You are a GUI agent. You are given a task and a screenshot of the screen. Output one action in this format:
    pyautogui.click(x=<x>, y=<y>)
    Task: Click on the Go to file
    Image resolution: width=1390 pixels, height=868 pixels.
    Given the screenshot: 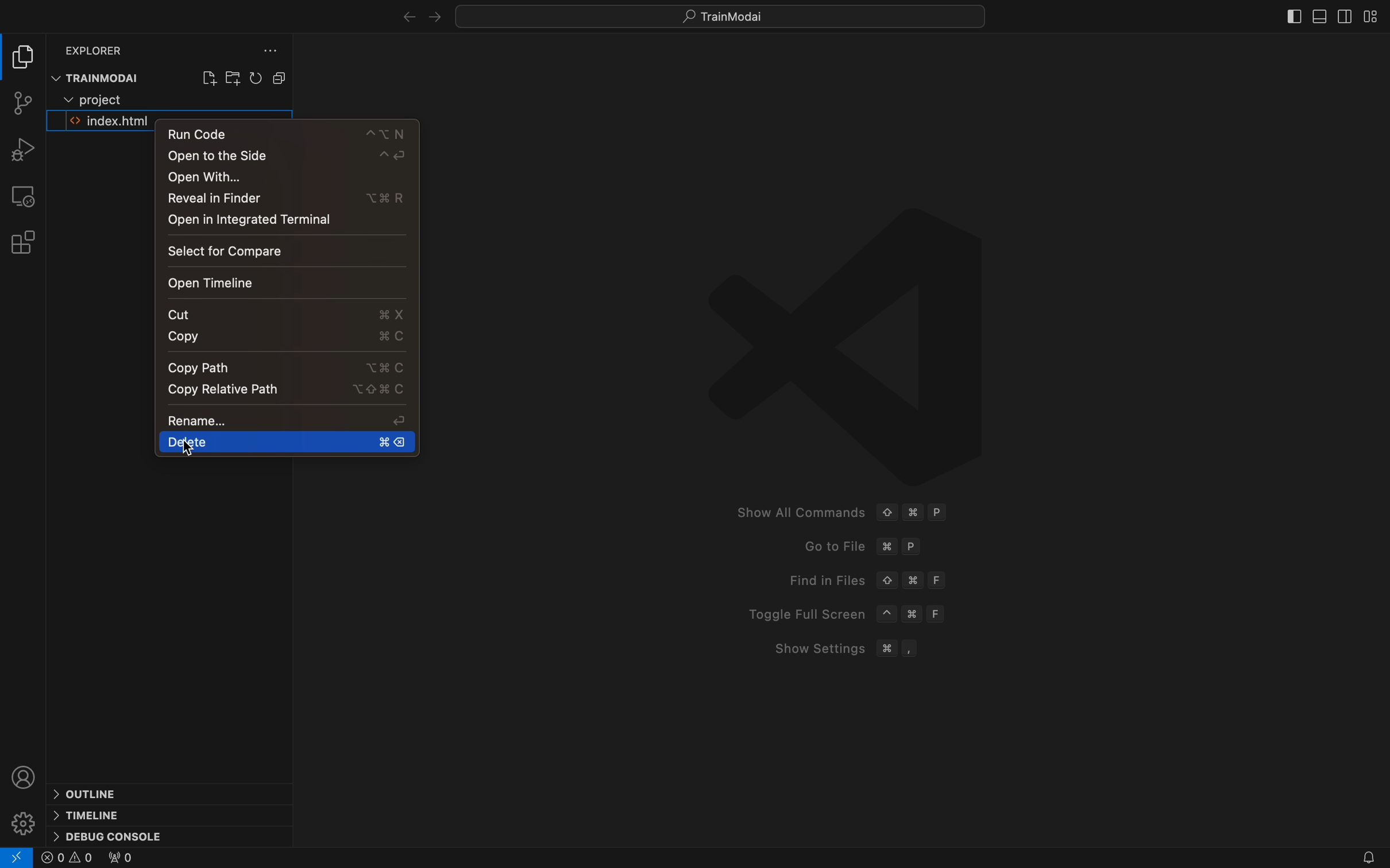 What is the action you would take?
    pyautogui.click(x=870, y=548)
    